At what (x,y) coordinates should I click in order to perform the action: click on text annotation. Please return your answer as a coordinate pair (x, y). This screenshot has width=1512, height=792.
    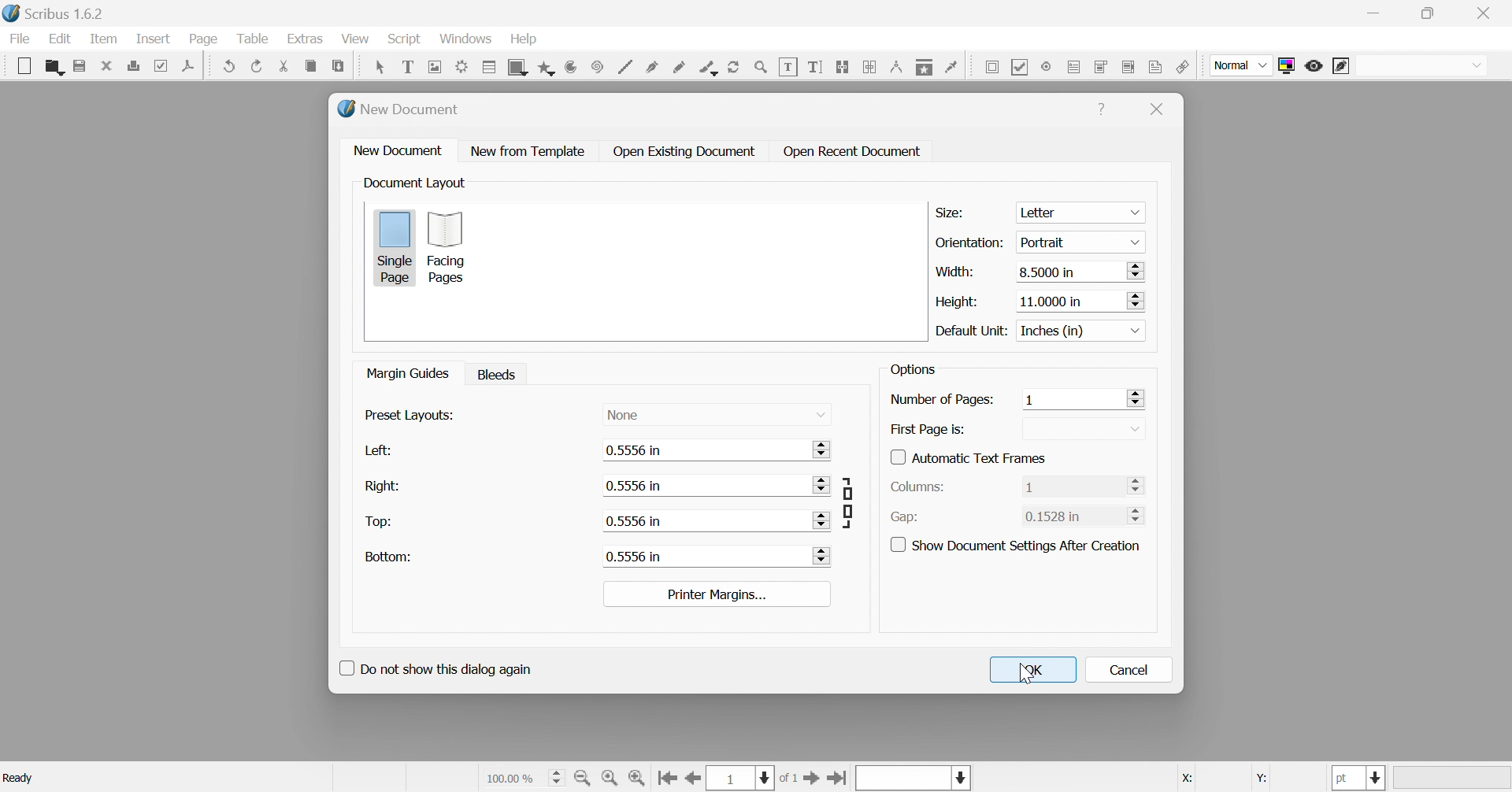
    Looking at the image, I should click on (1158, 67).